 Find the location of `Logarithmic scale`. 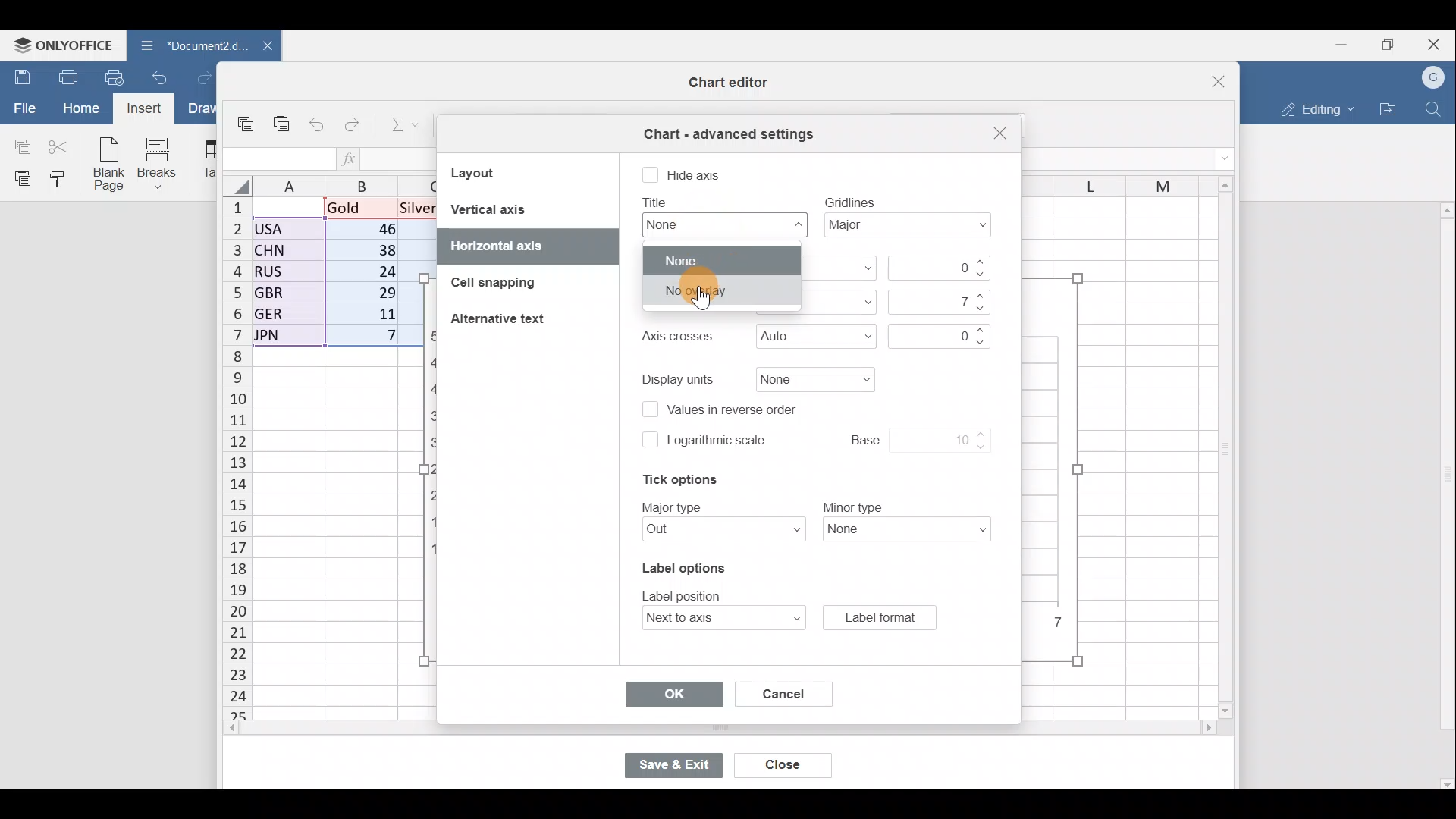

Logarithmic scale is located at coordinates (717, 441).